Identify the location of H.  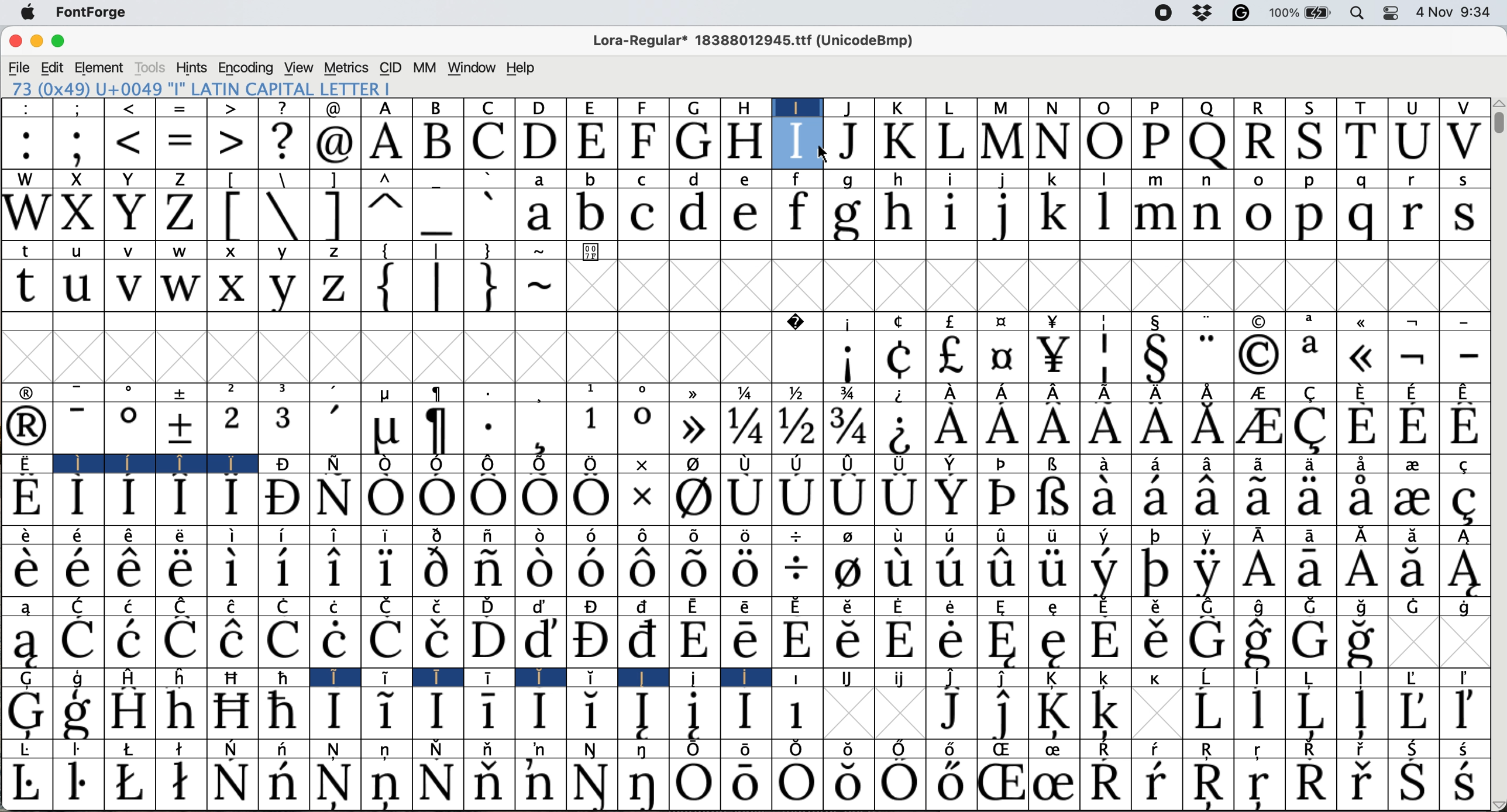
(744, 142).